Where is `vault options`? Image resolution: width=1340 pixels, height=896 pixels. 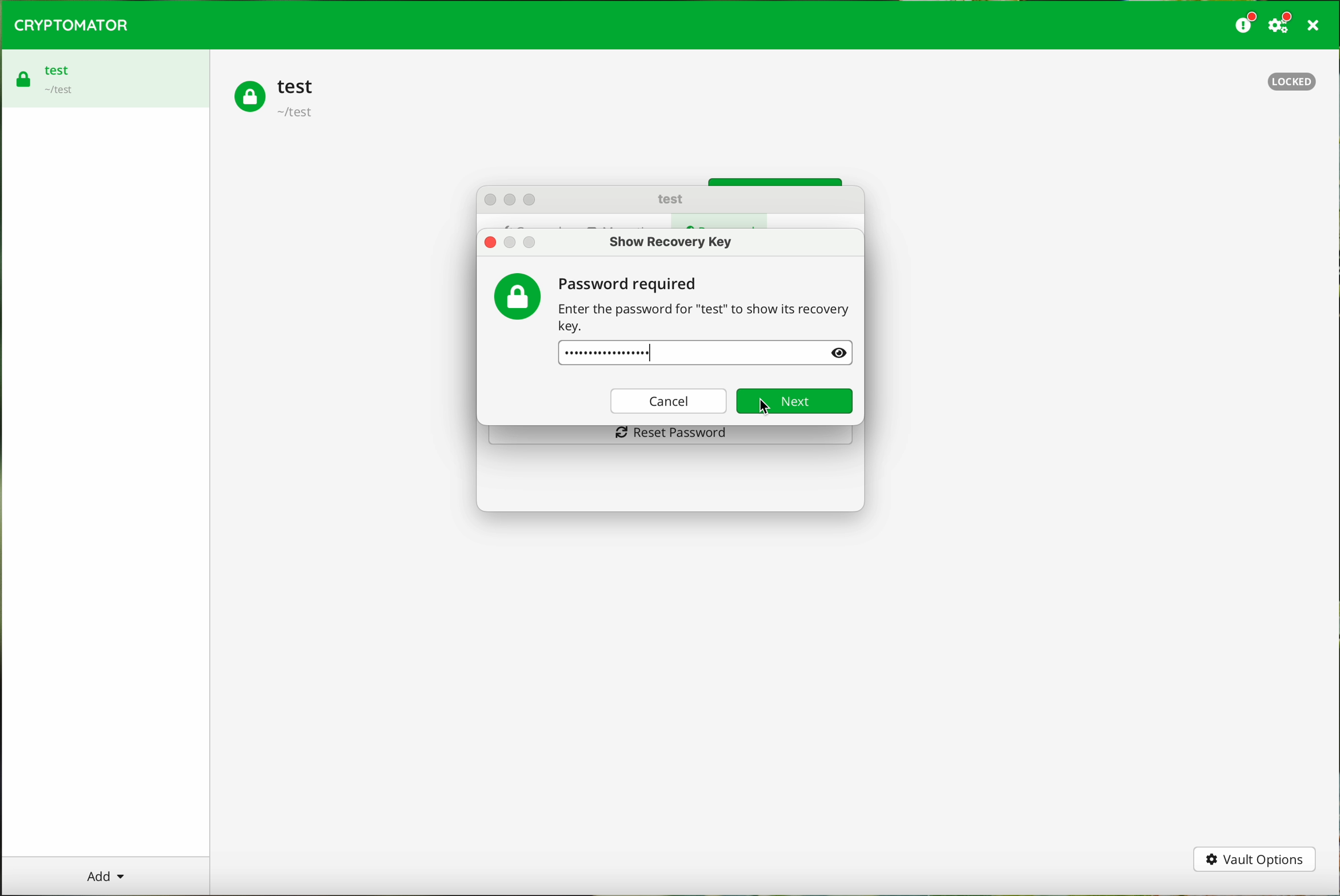 vault options is located at coordinates (1255, 861).